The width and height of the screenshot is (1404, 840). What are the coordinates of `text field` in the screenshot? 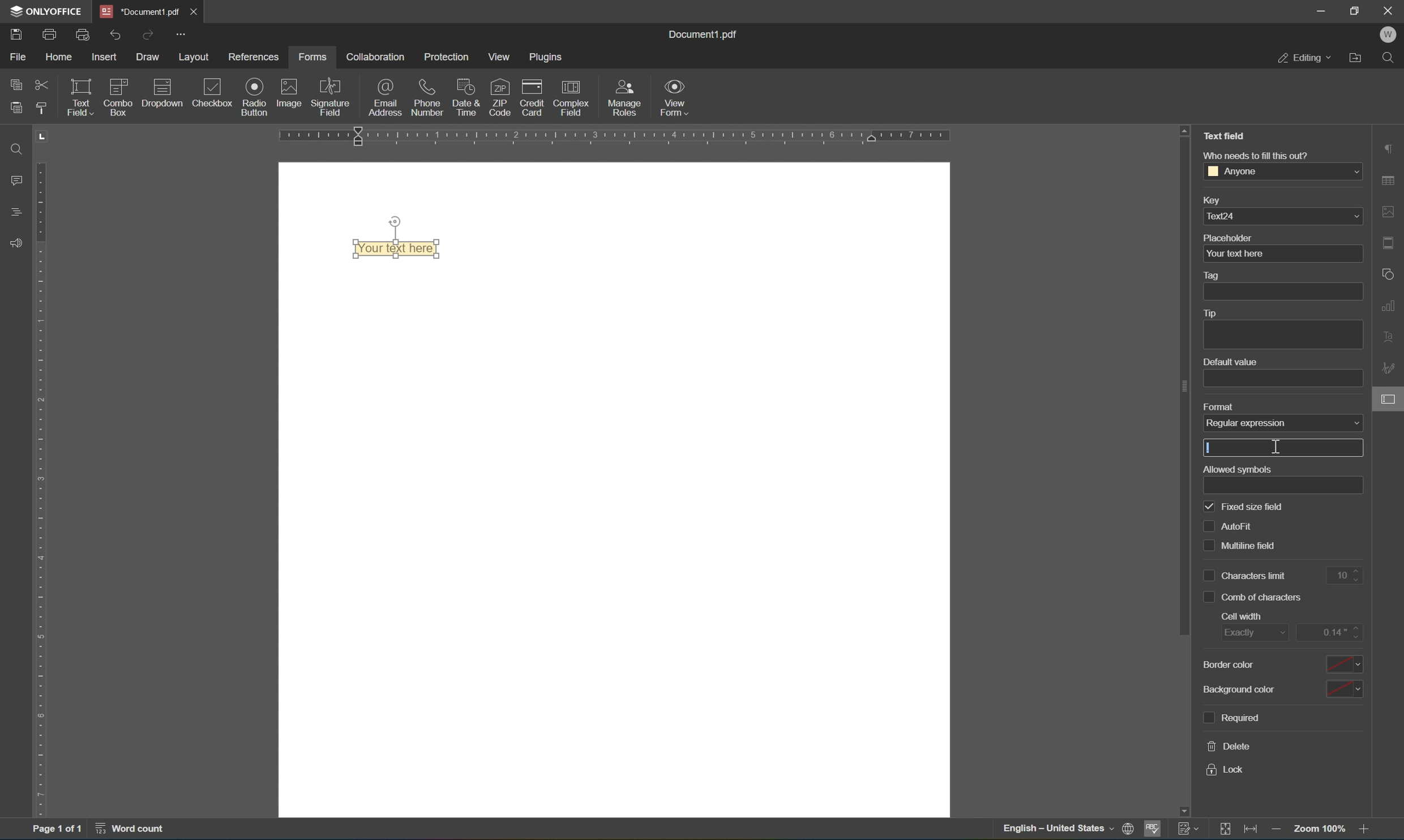 It's located at (1228, 135).